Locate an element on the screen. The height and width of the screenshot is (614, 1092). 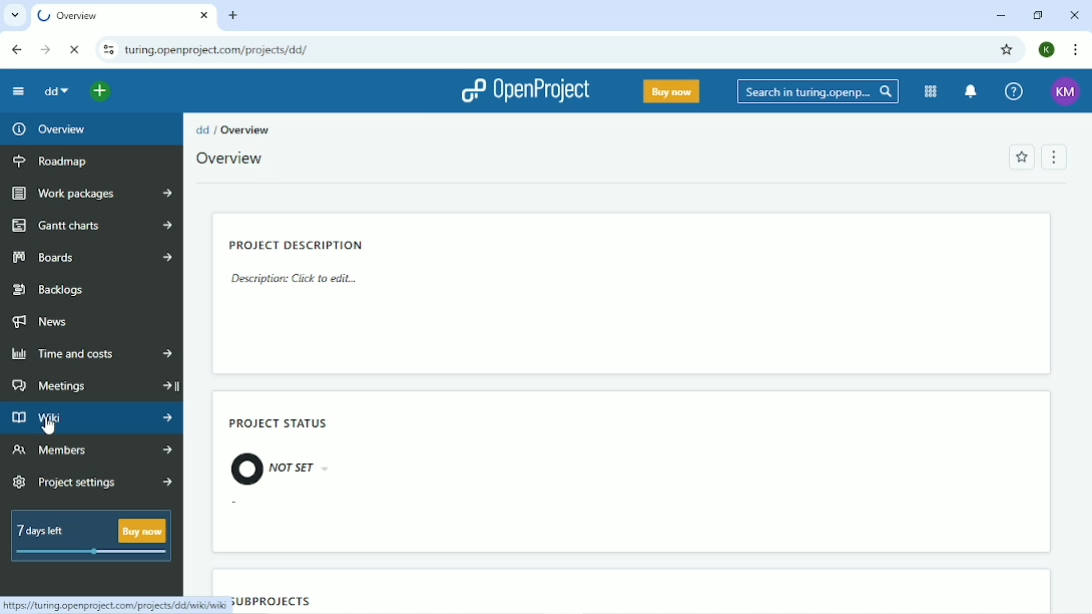
Members is located at coordinates (79, 451).